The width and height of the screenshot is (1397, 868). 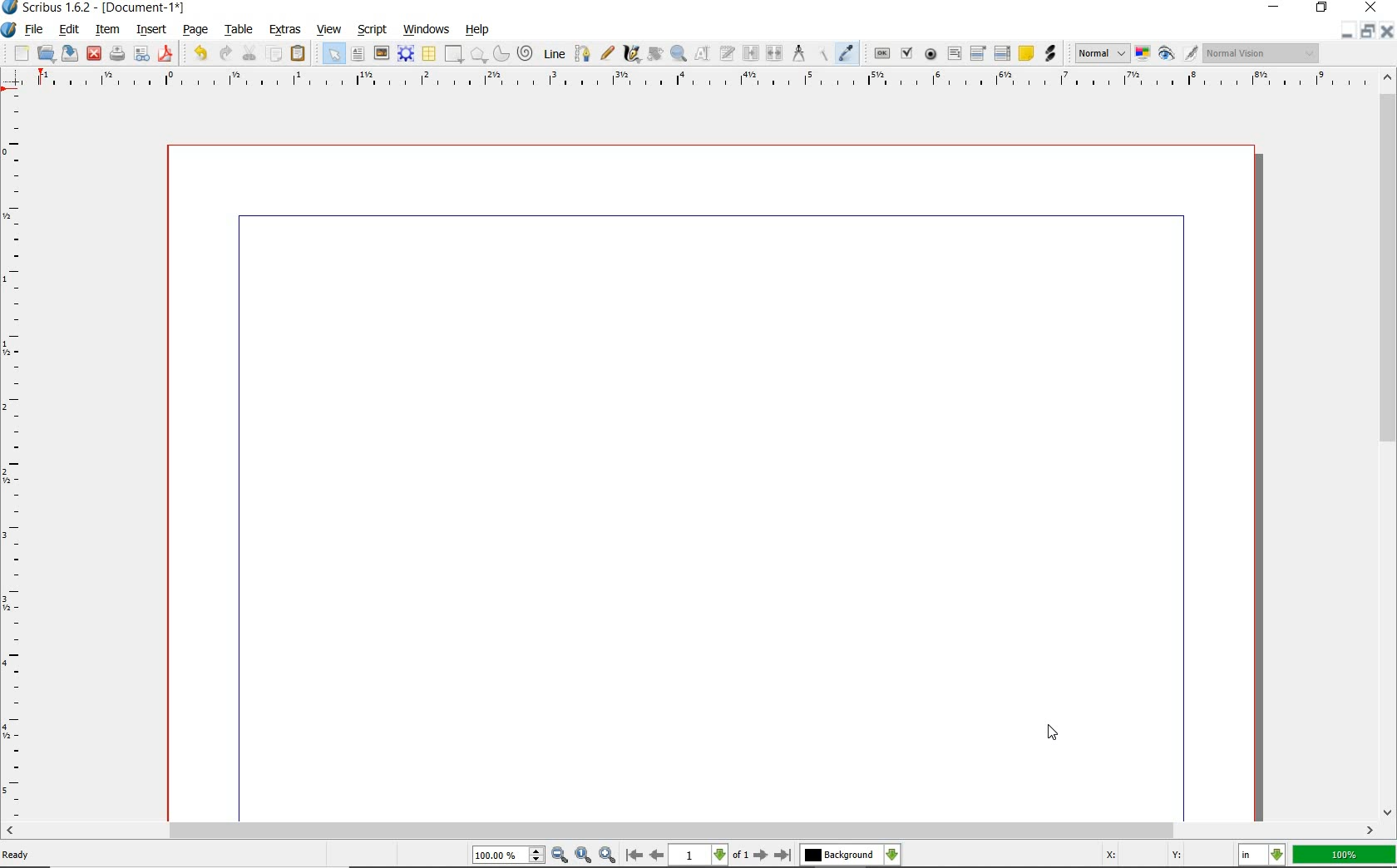 What do you see at coordinates (405, 54) in the screenshot?
I see `render frame` at bounding box center [405, 54].